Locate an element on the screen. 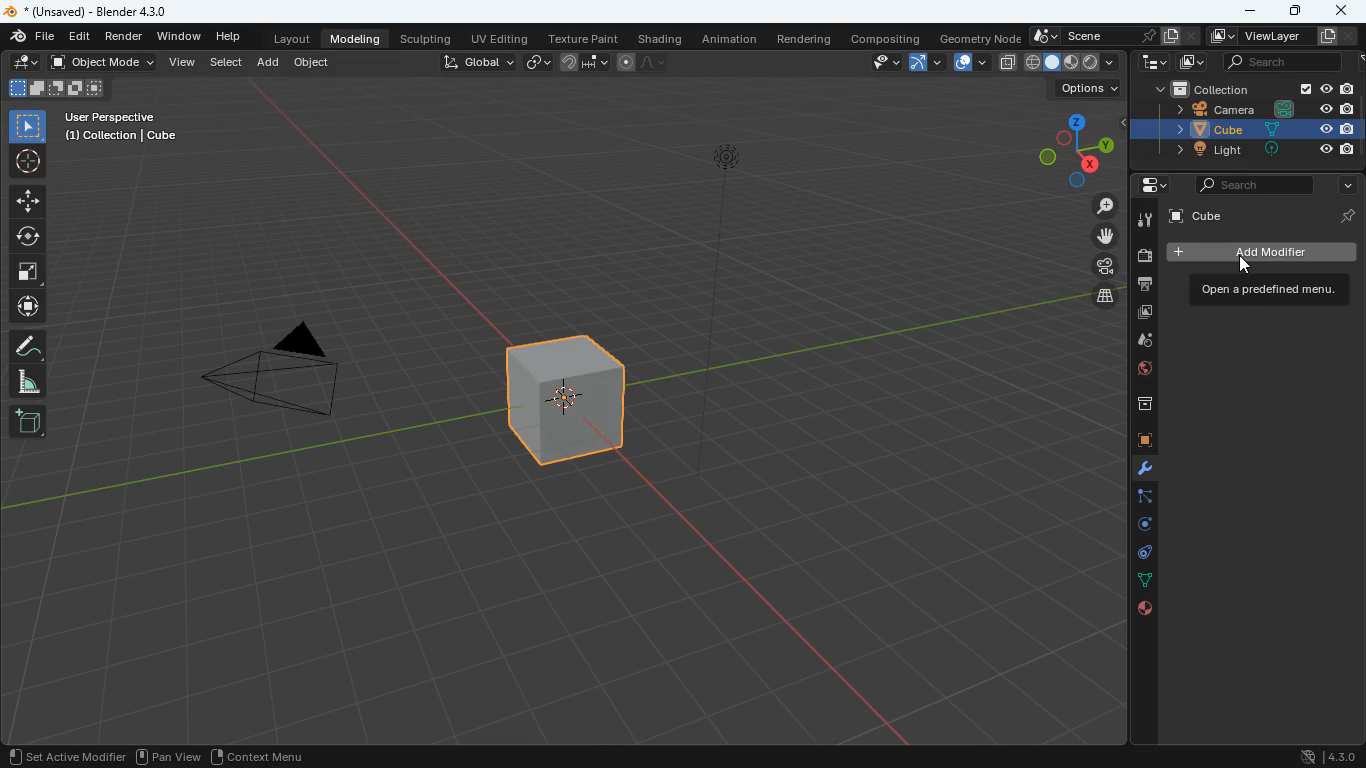 The height and width of the screenshot is (768, 1366). search is located at coordinates (1280, 186).